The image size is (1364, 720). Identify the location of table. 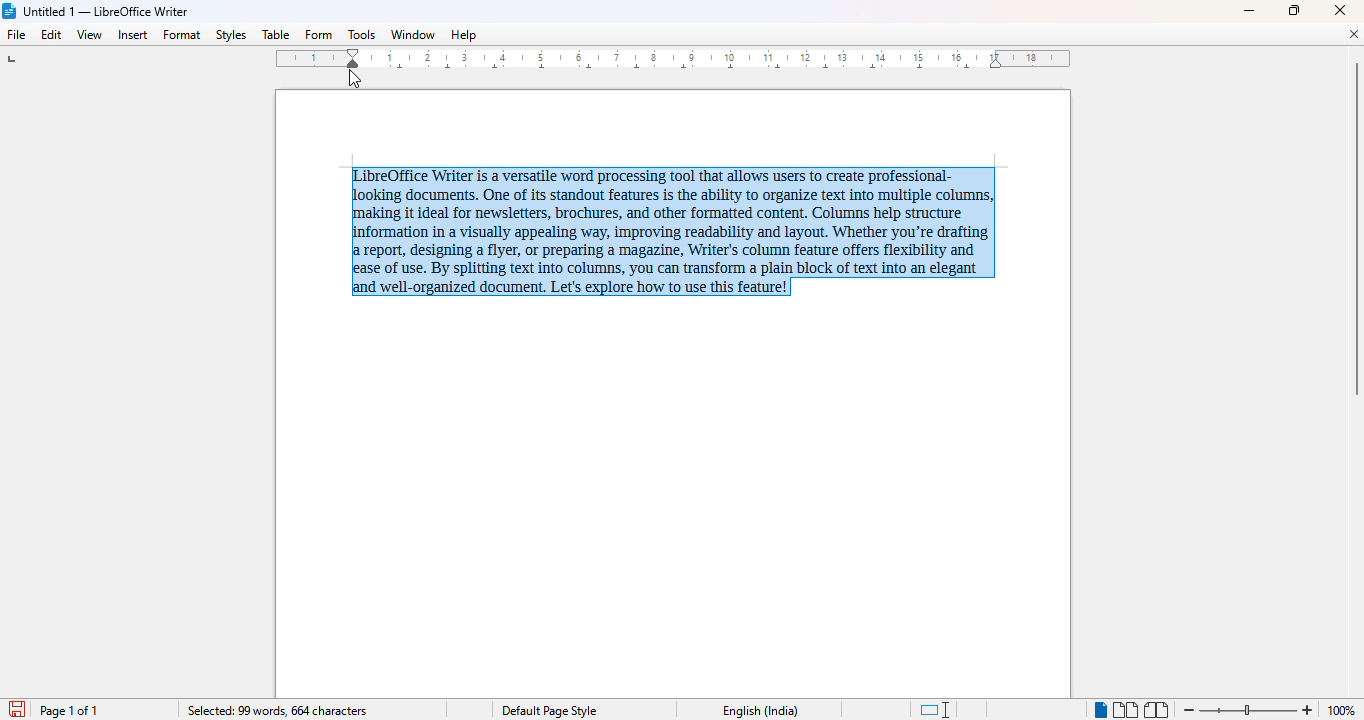
(275, 34).